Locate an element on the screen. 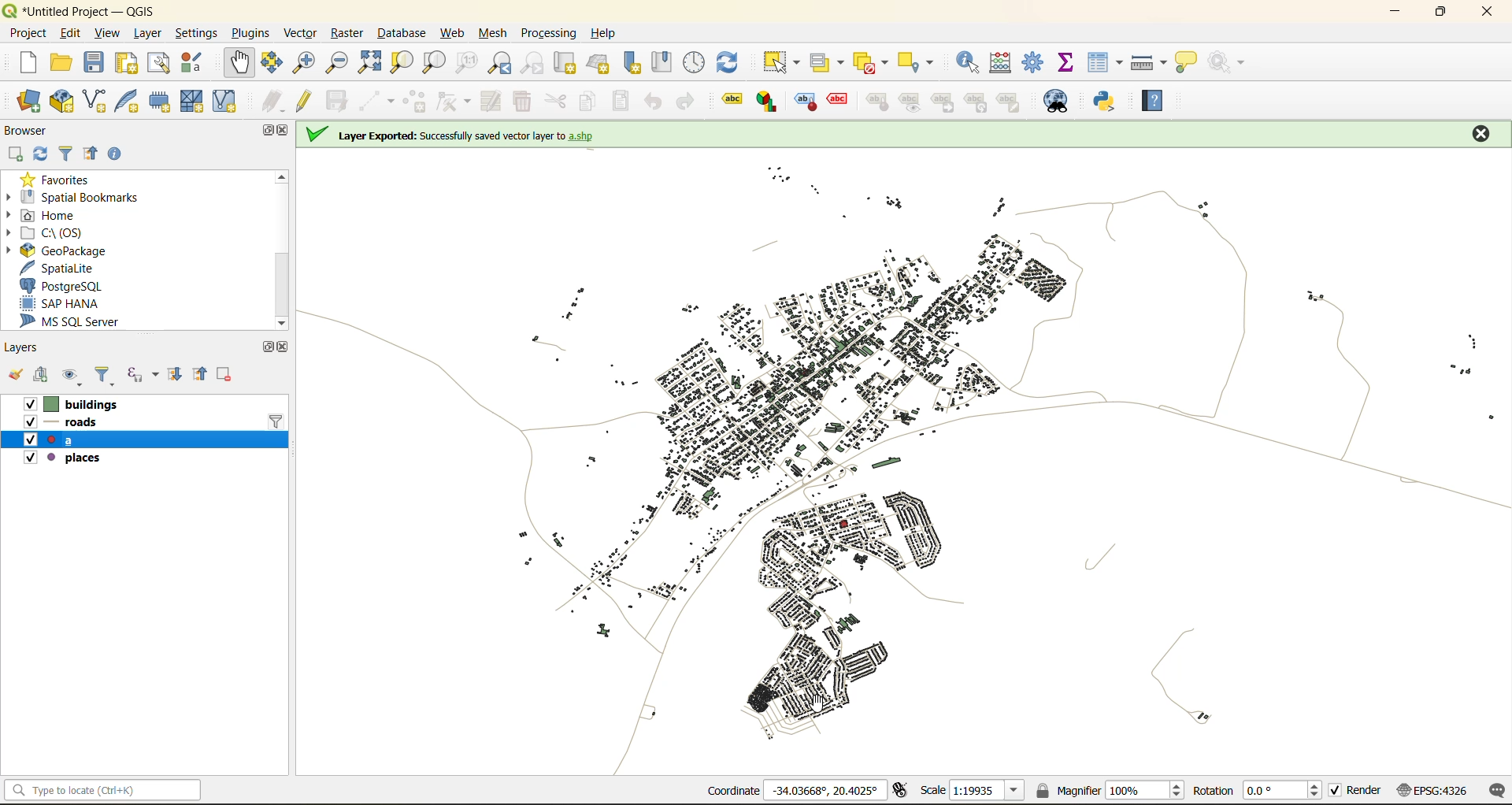 This screenshot has height=805, width=1512. new shapefile is located at coordinates (95, 99).